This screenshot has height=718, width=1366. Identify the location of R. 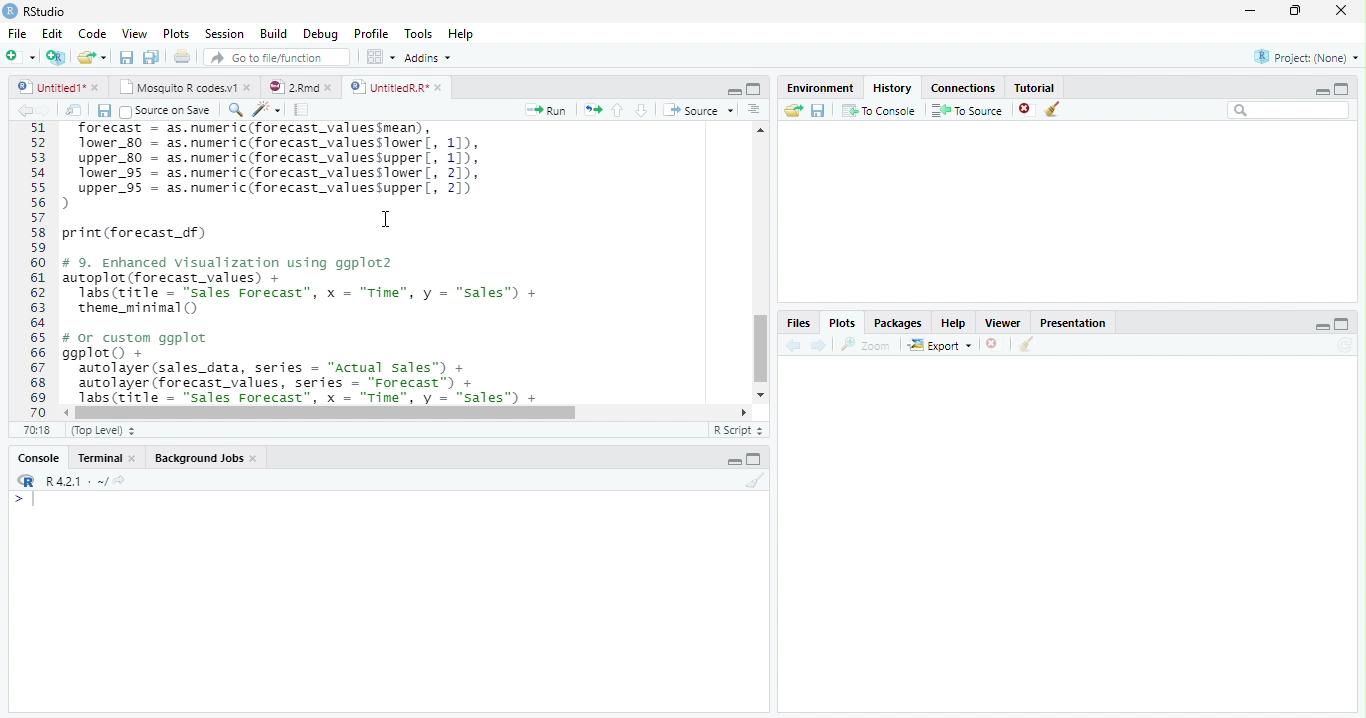
(26, 481).